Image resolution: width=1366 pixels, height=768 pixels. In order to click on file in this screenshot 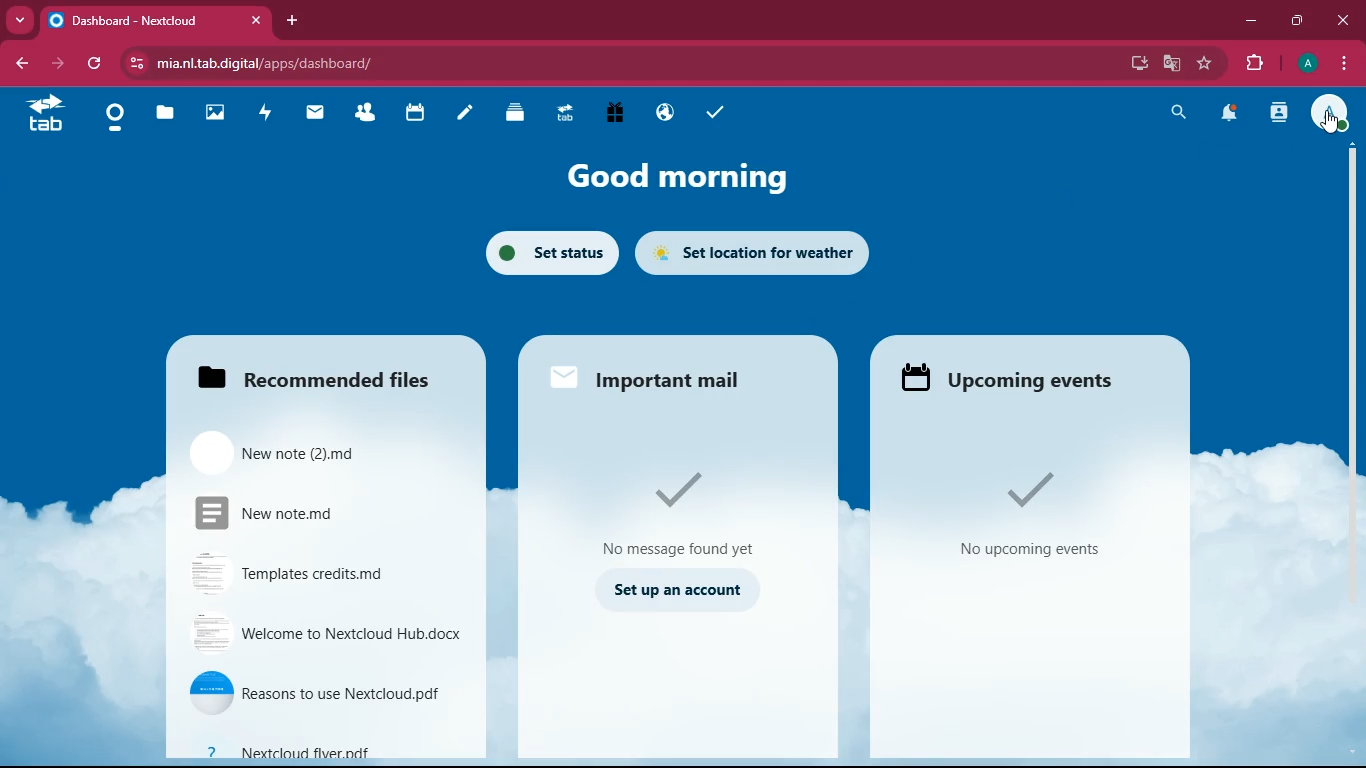, I will do `click(328, 635)`.